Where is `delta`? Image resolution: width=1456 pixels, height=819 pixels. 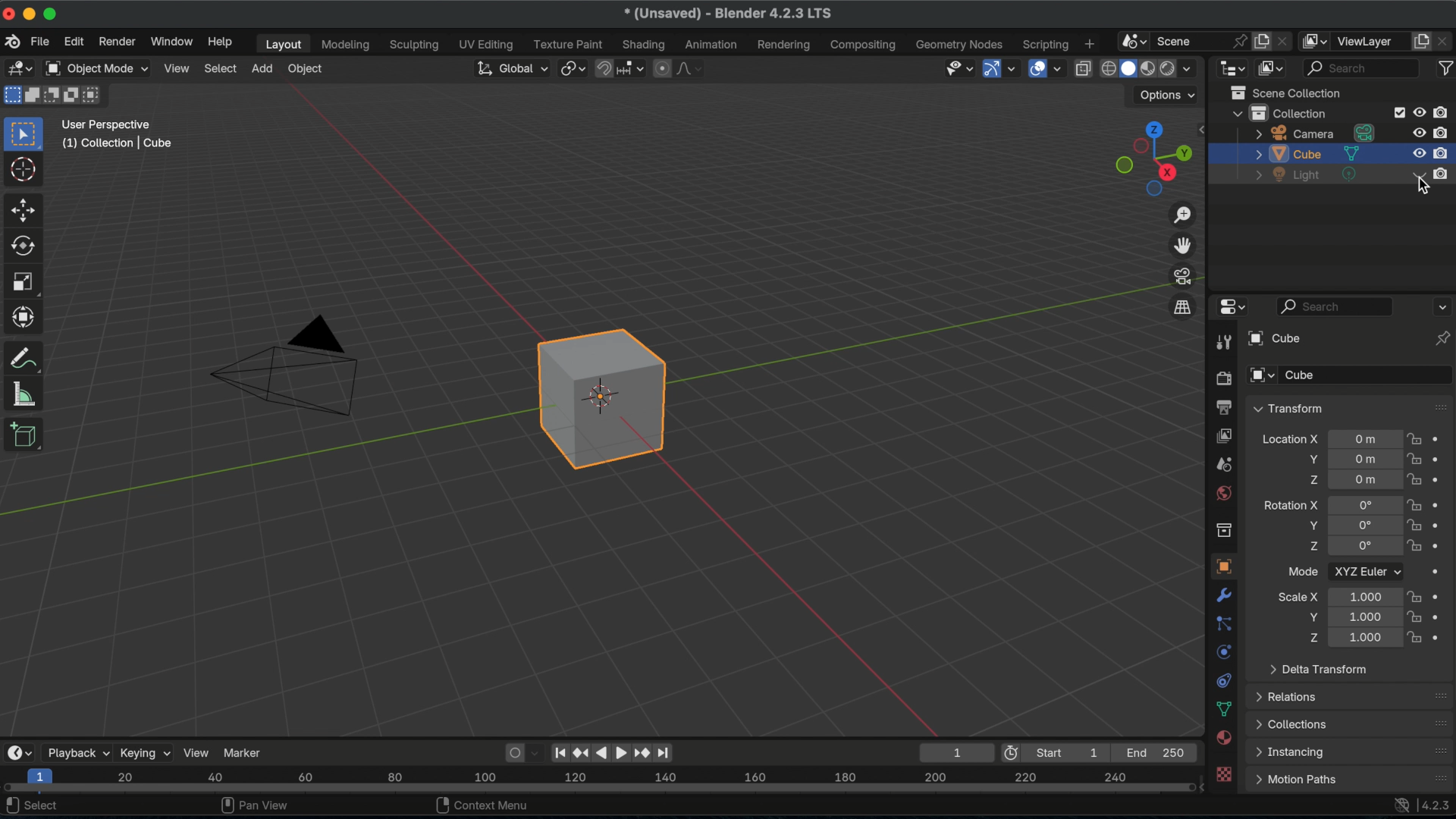 delta is located at coordinates (1225, 709).